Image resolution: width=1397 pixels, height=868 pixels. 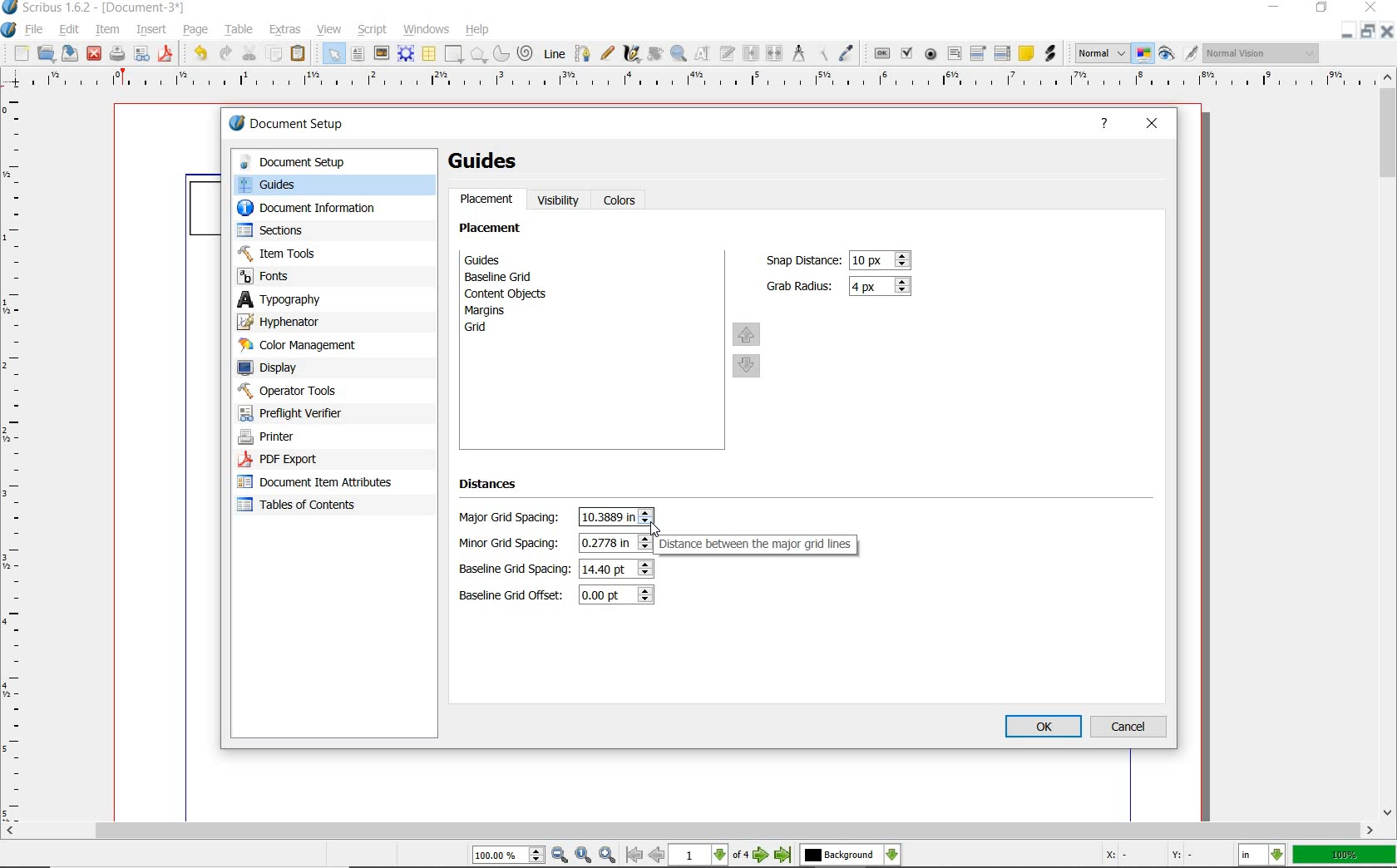 What do you see at coordinates (324, 369) in the screenshot?
I see `display` at bounding box center [324, 369].